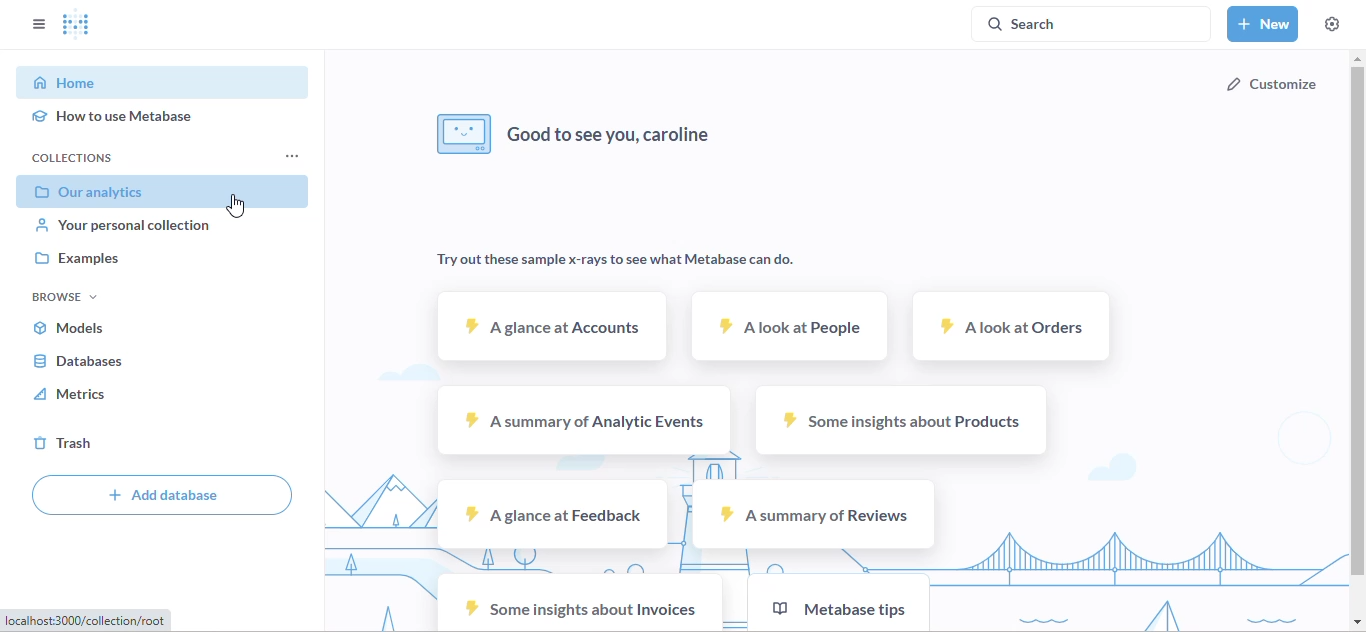 The image size is (1366, 632). Describe the element at coordinates (73, 158) in the screenshot. I see `collections` at that location.